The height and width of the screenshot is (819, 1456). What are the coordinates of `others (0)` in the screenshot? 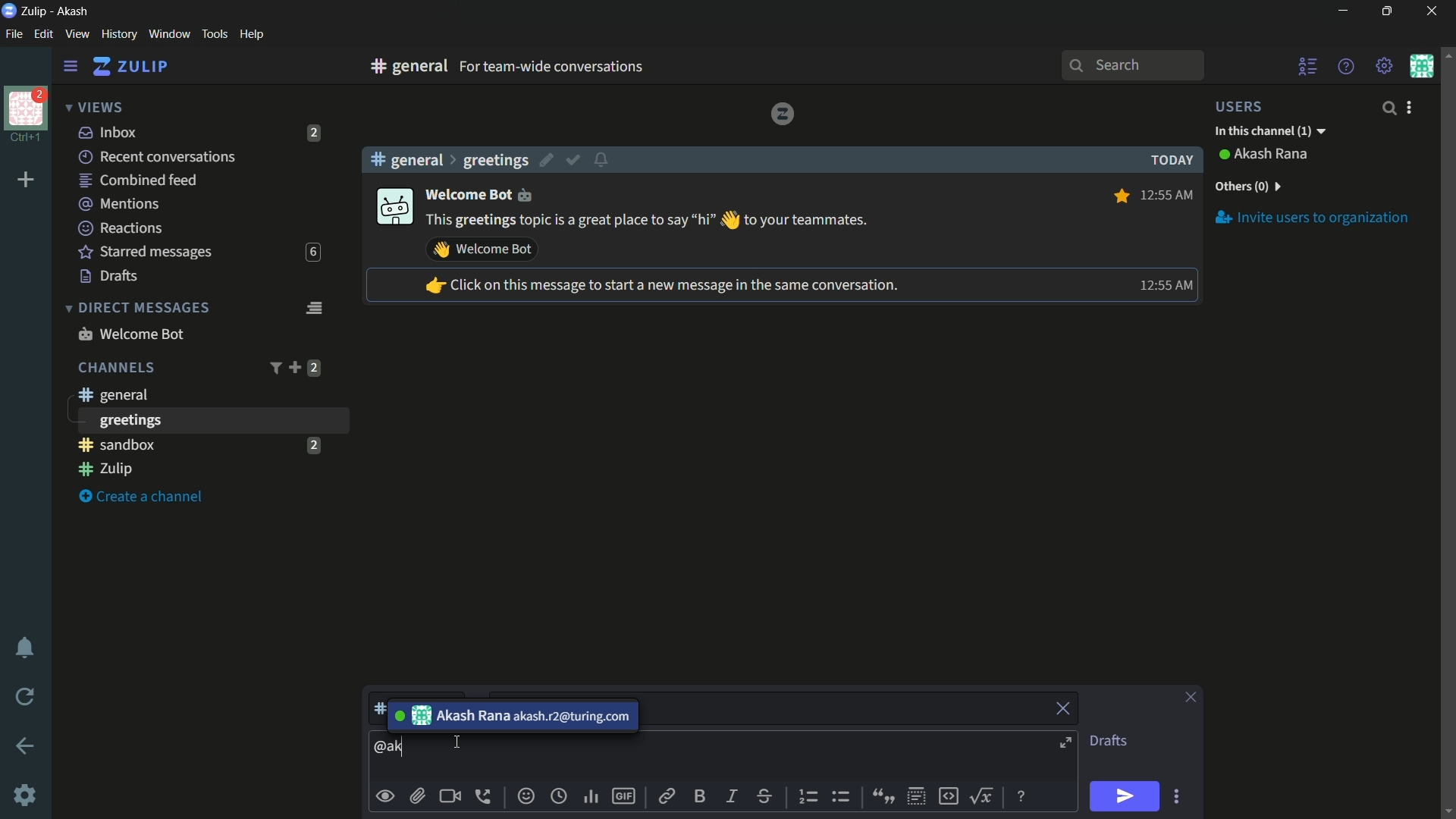 It's located at (1247, 187).